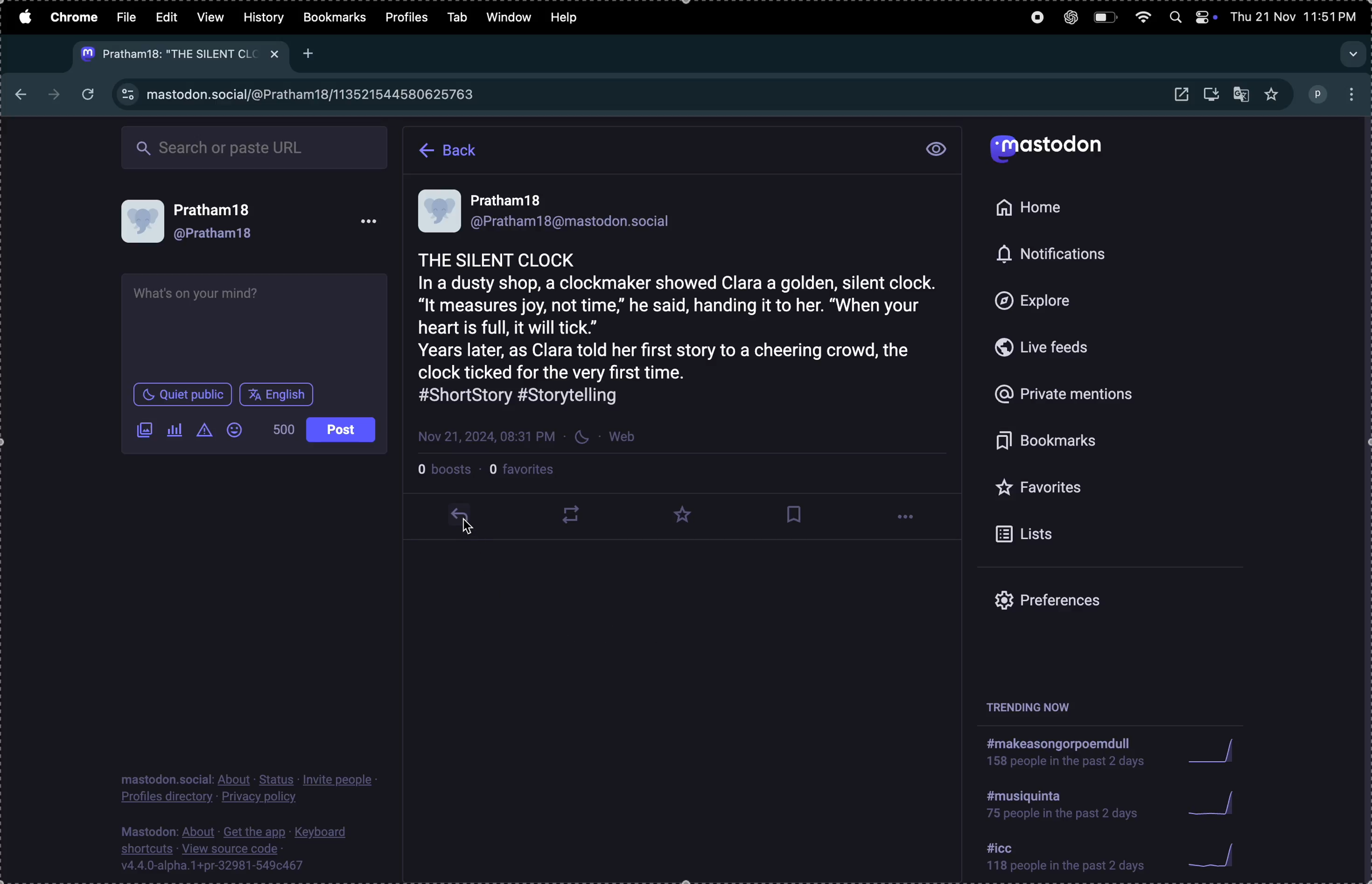 The width and height of the screenshot is (1372, 884). Describe the element at coordinates (175, 430) in the screenshot. I see `pole` at that location.